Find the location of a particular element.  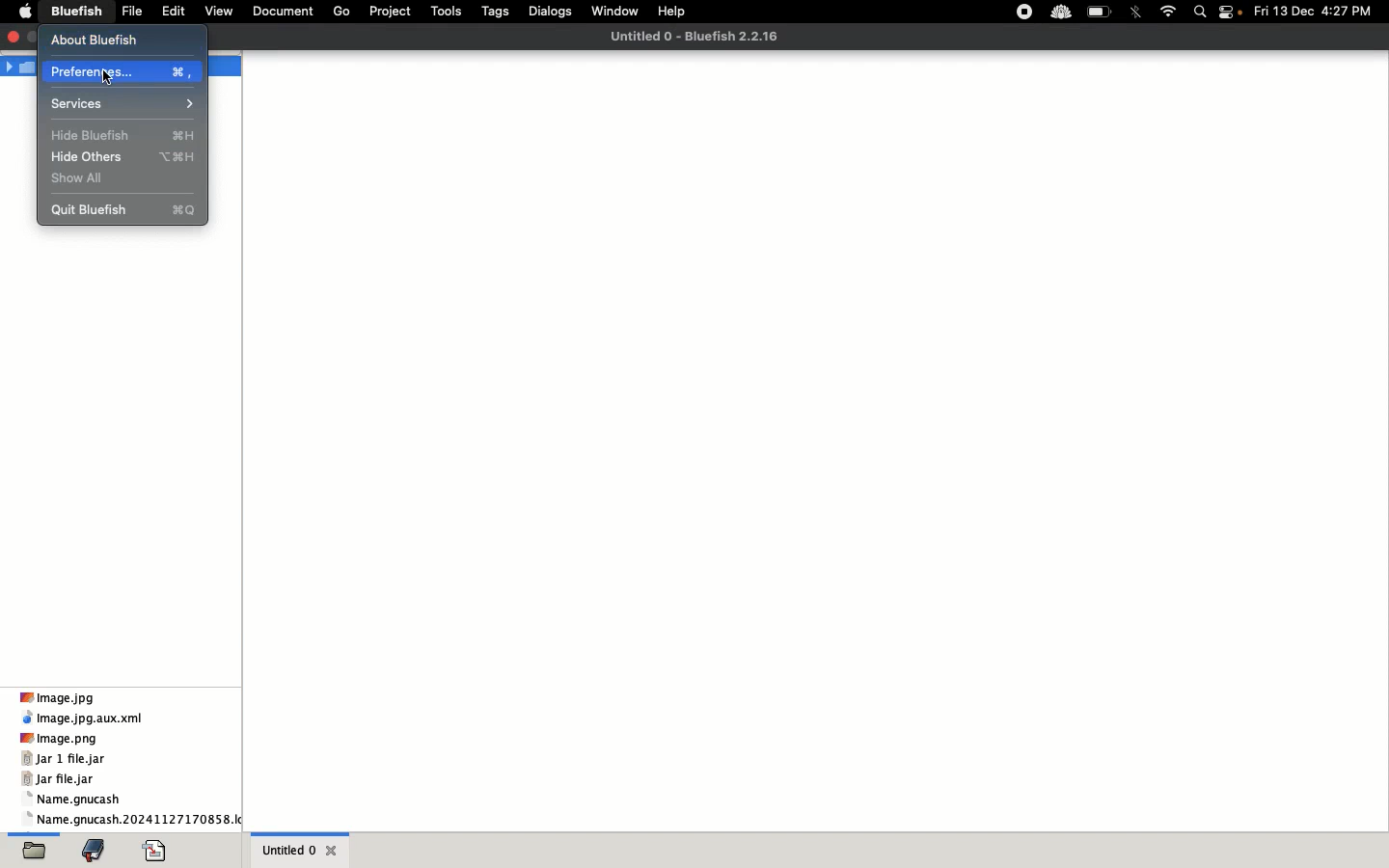

Preferences is located at coordinates (120, 72).